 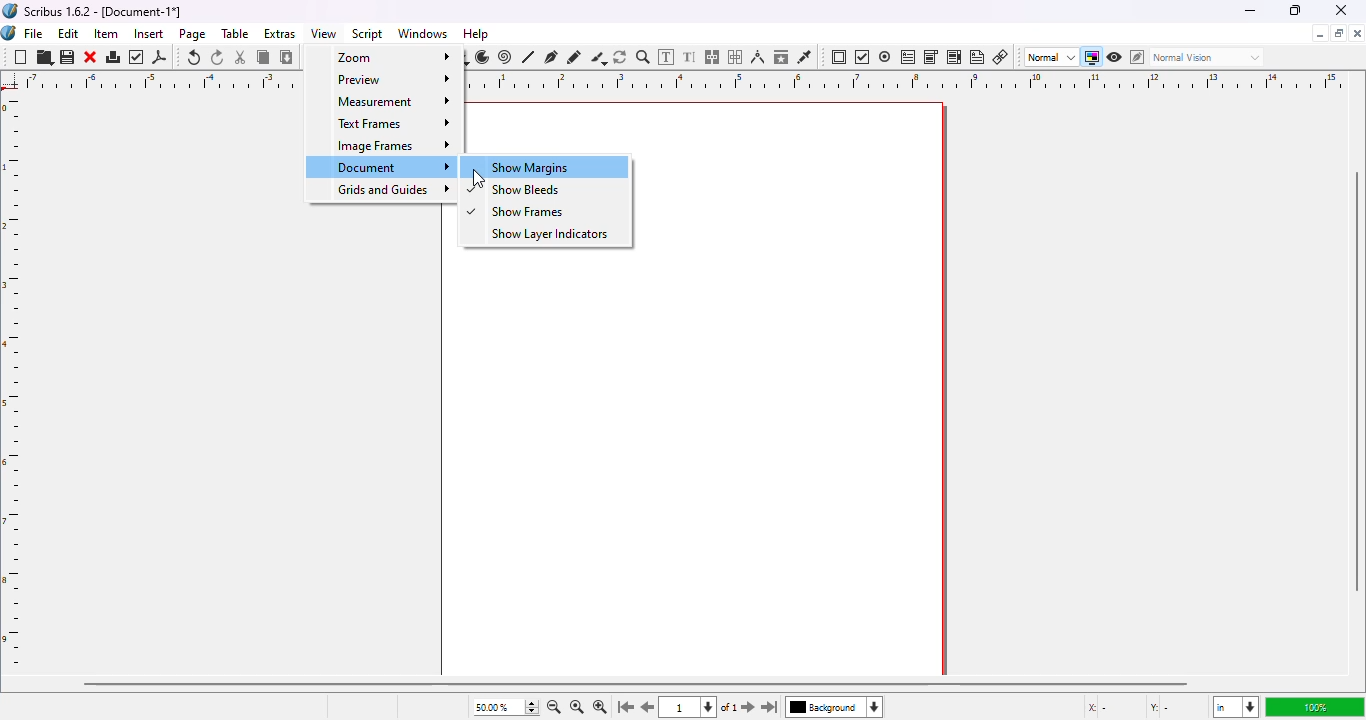 What do you see at coordinates (1339, 33) in the screenshot?
I see `maximize` at bounding box center [1339, 33].